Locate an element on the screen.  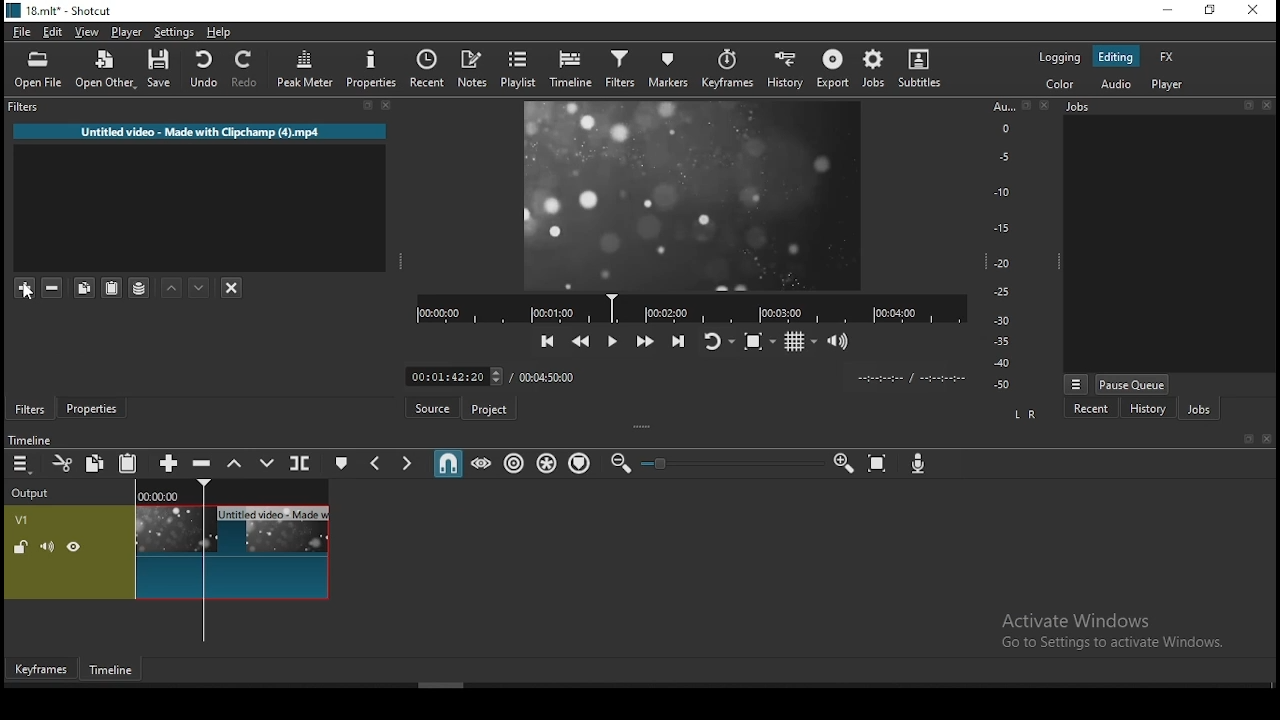
play/pause is located at coordinates (614, 342).